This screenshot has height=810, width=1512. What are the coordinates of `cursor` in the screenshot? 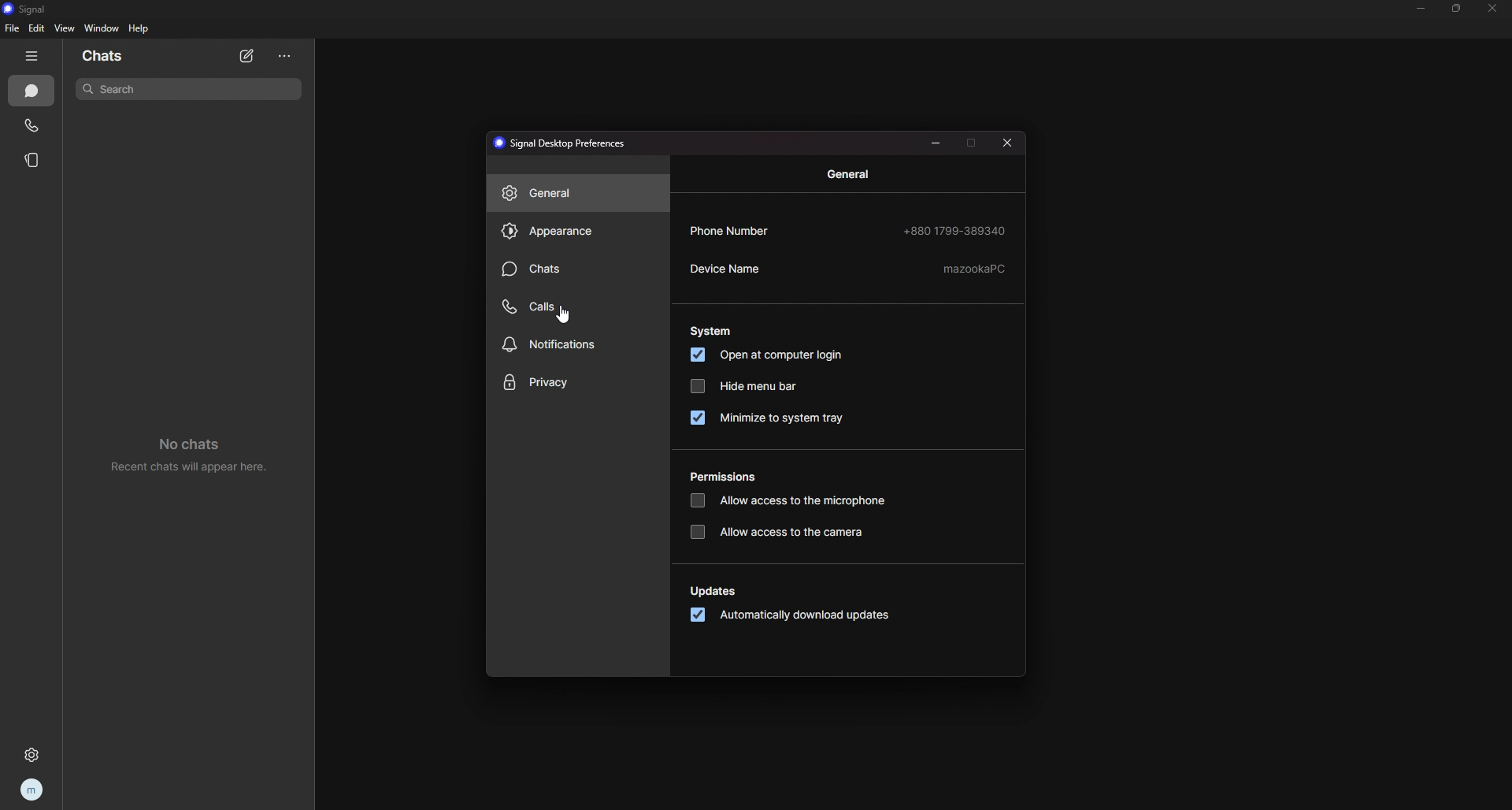 It's located at (565, 316).